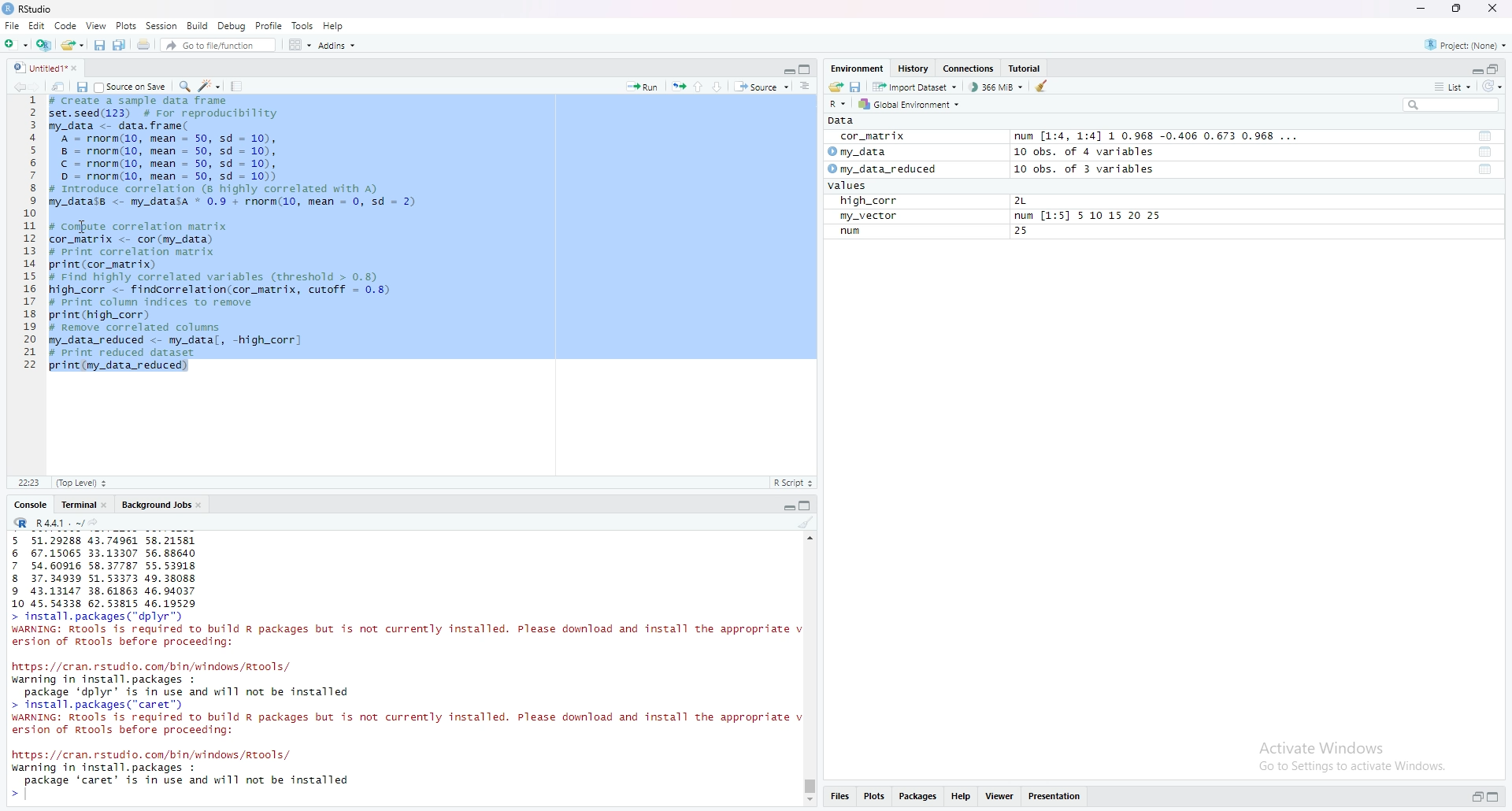 The height and width of the screenshot is (811, 1512). Describe the element at coordinates (82, 227) in the screenshot. I see `cursor` at that location.